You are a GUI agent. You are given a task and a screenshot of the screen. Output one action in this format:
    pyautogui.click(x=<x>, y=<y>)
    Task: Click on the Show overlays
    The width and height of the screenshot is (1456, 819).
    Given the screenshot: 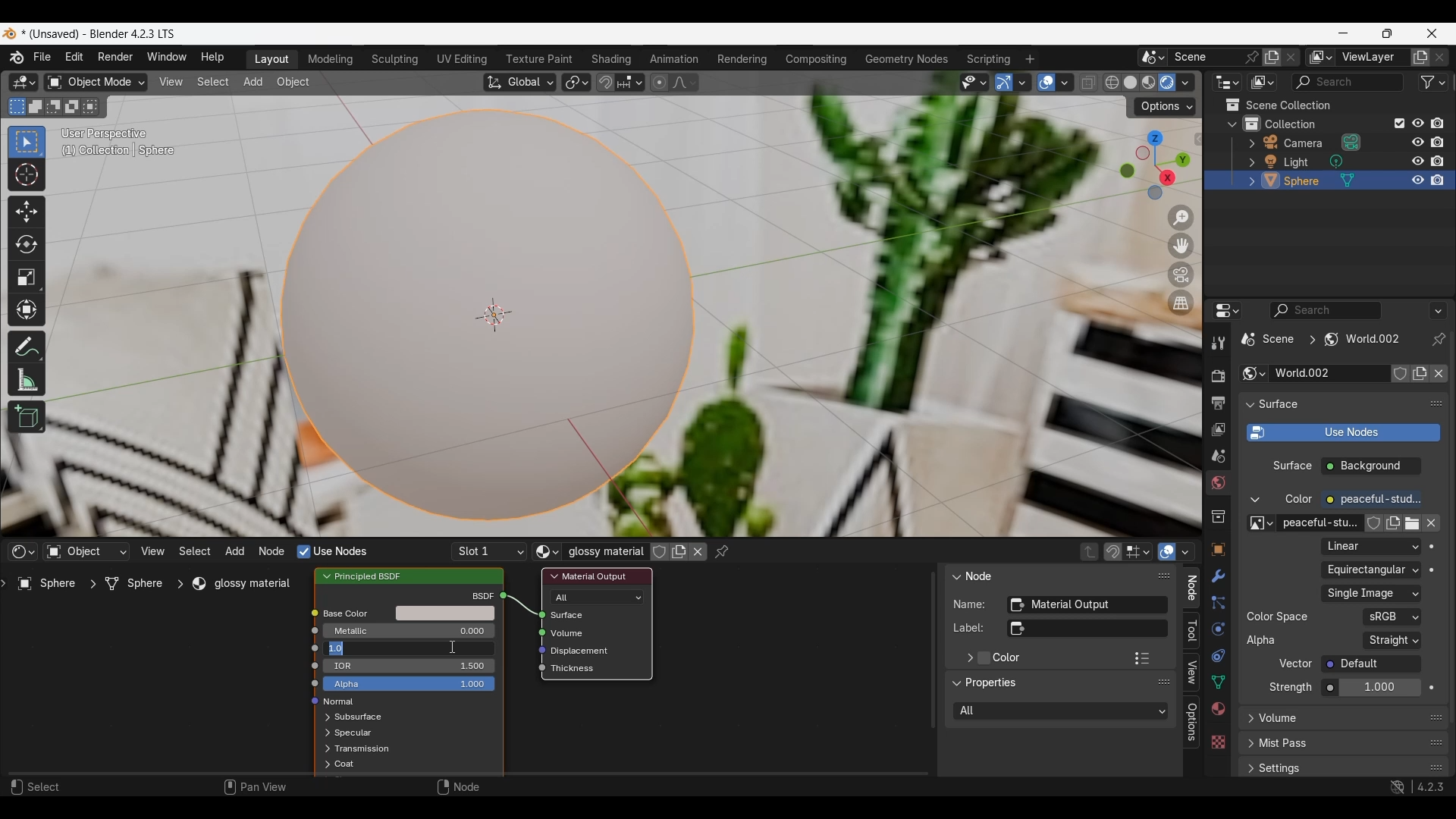 What is the action you would take?
    pyautogui.click(x=1168, y=551)
    